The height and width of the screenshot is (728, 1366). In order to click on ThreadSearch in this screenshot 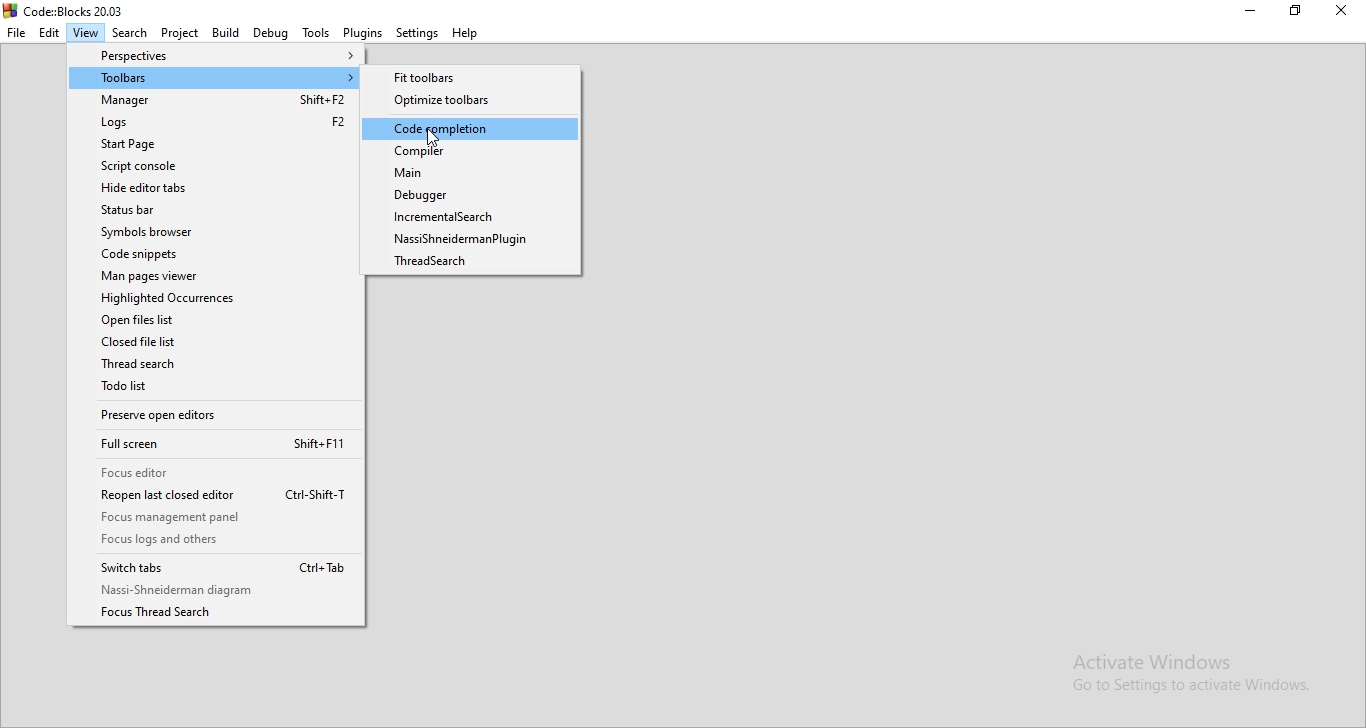, I will do `click(218, 367)`.